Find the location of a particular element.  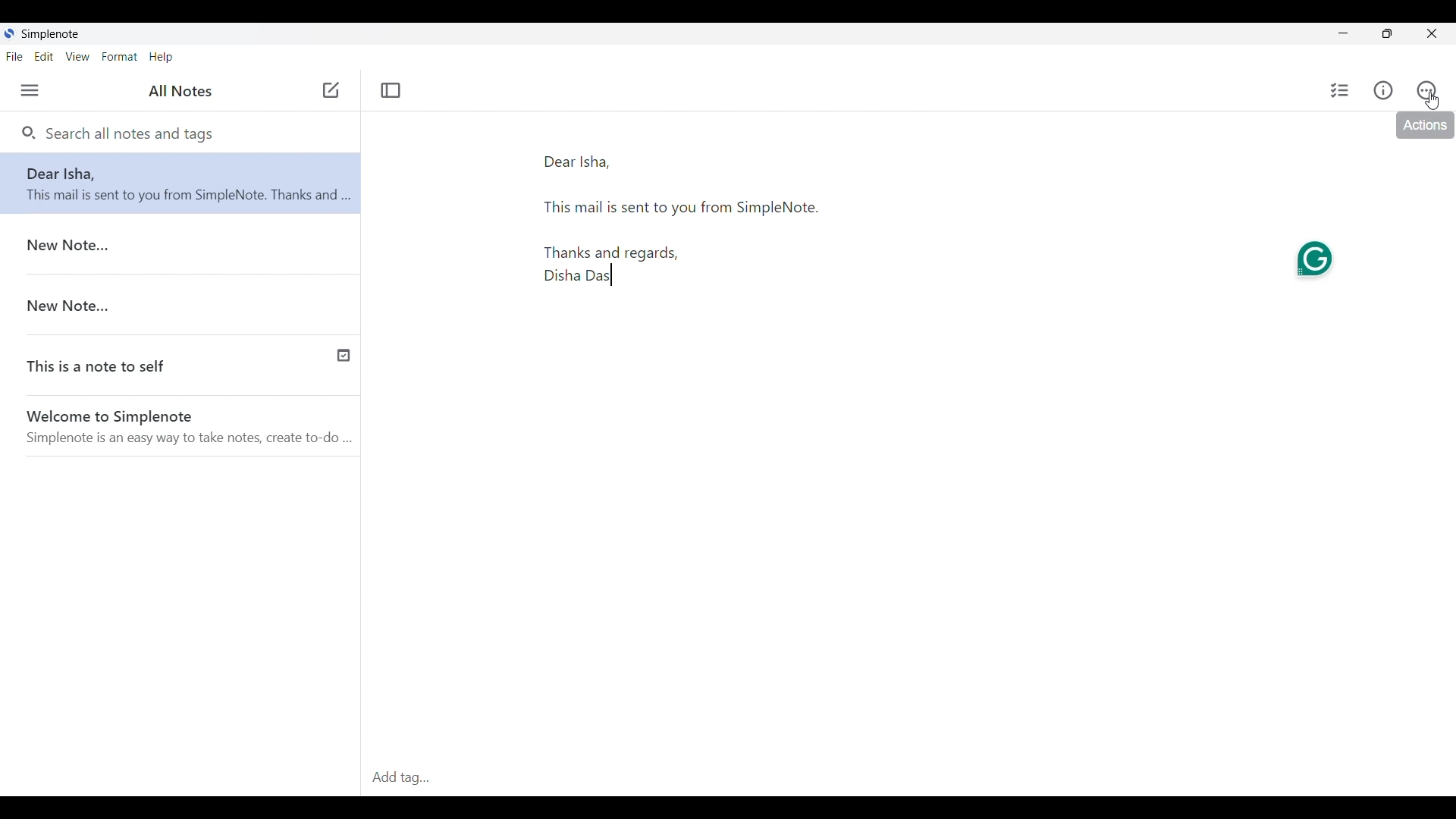

File is located at coordinates (14, 56).